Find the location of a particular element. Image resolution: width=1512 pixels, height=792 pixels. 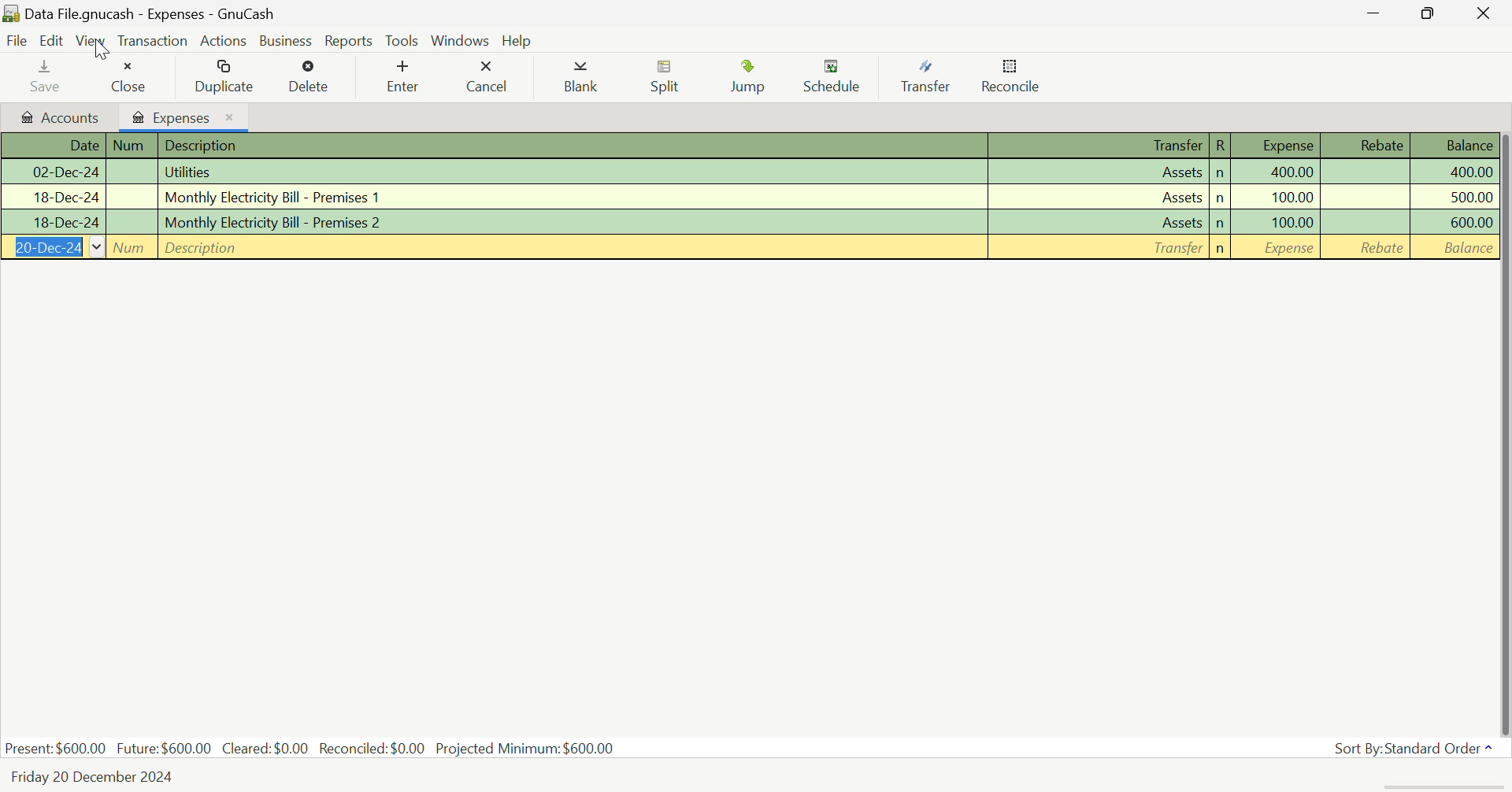

Num is located at coordinates (128, 196).